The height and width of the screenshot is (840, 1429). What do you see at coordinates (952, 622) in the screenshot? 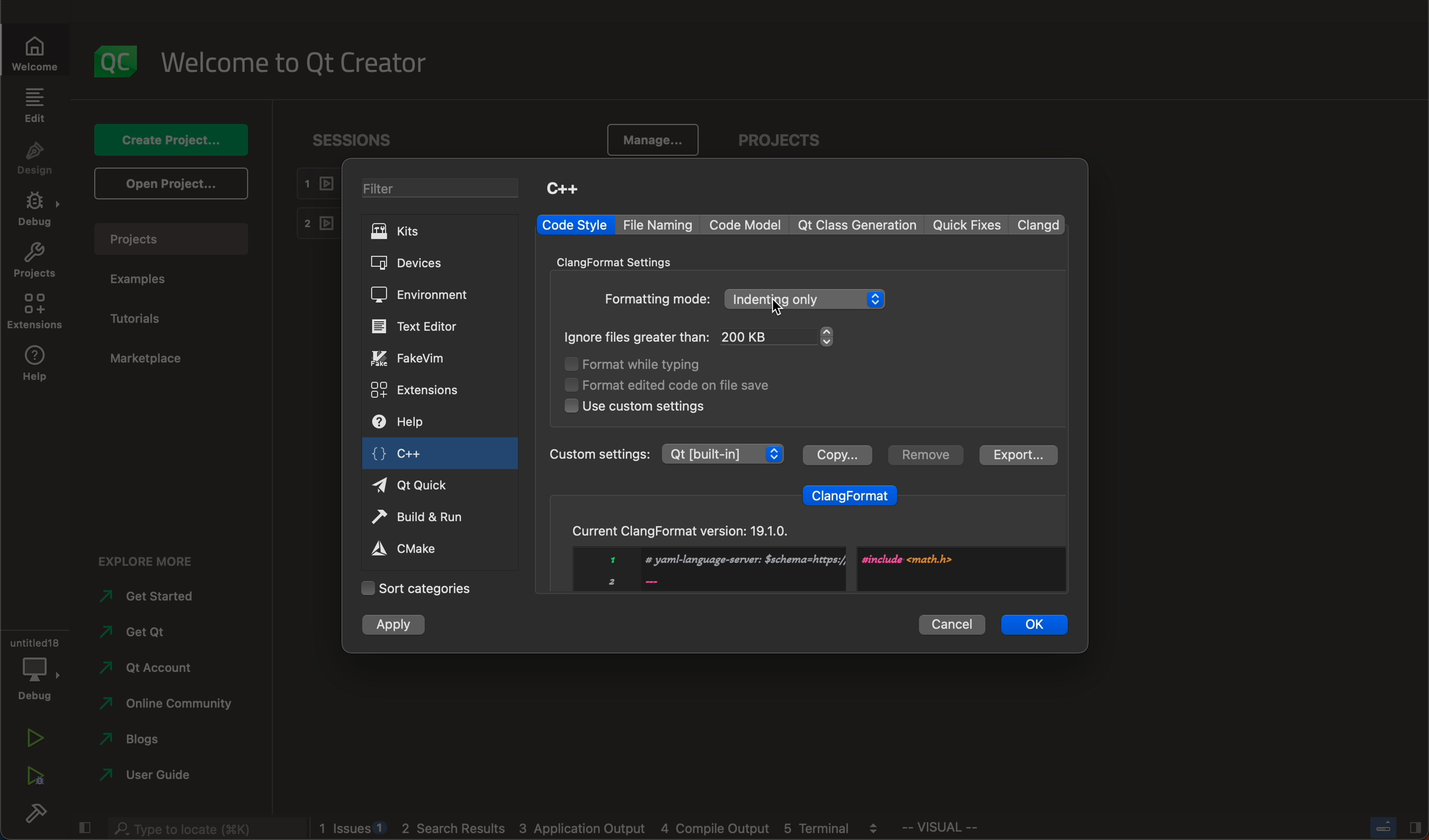
I see `cancel` at bounding box center [952, 622].